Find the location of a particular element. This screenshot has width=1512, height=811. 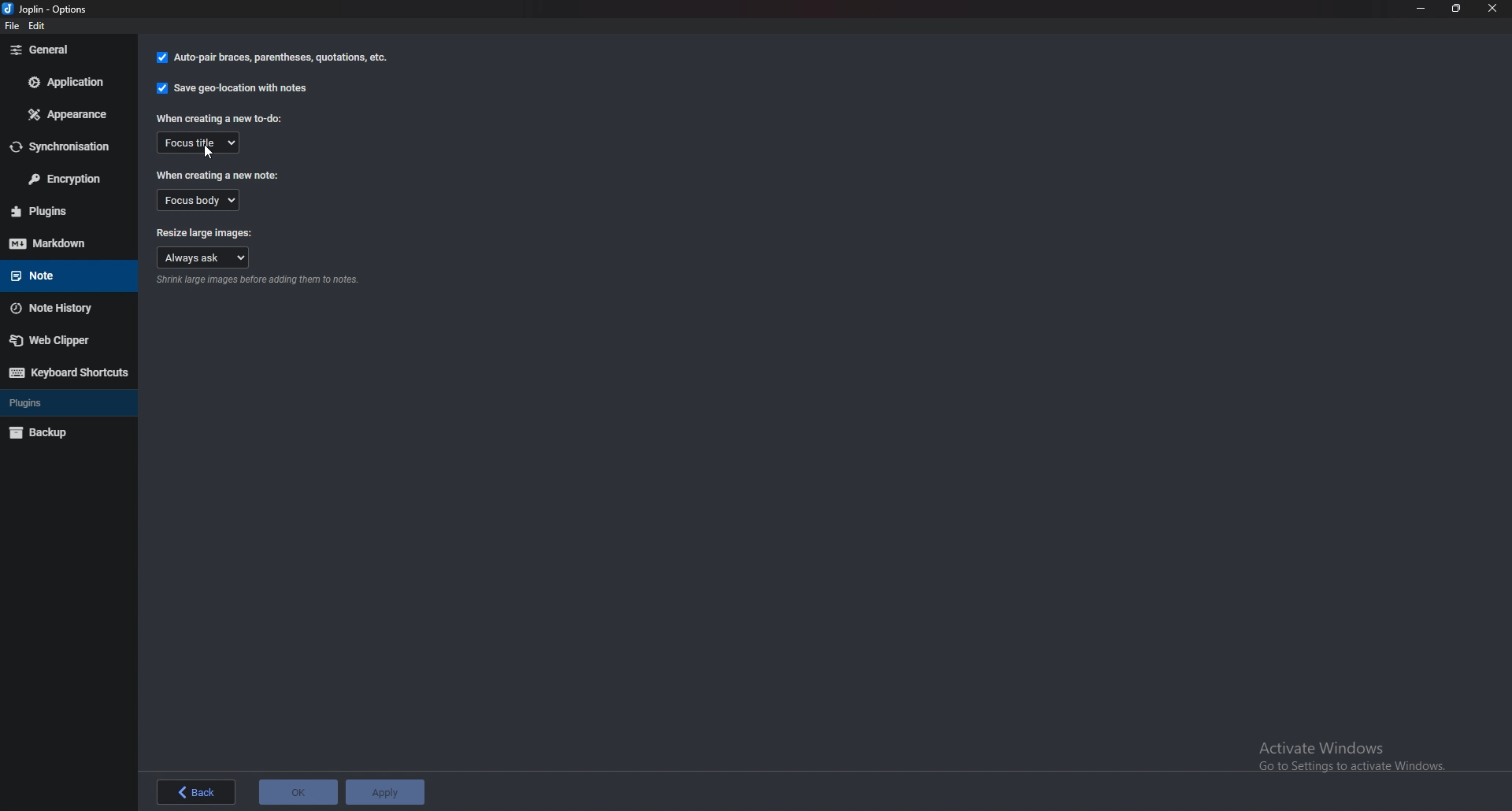

Plugins is located at coordinates (61, 211).